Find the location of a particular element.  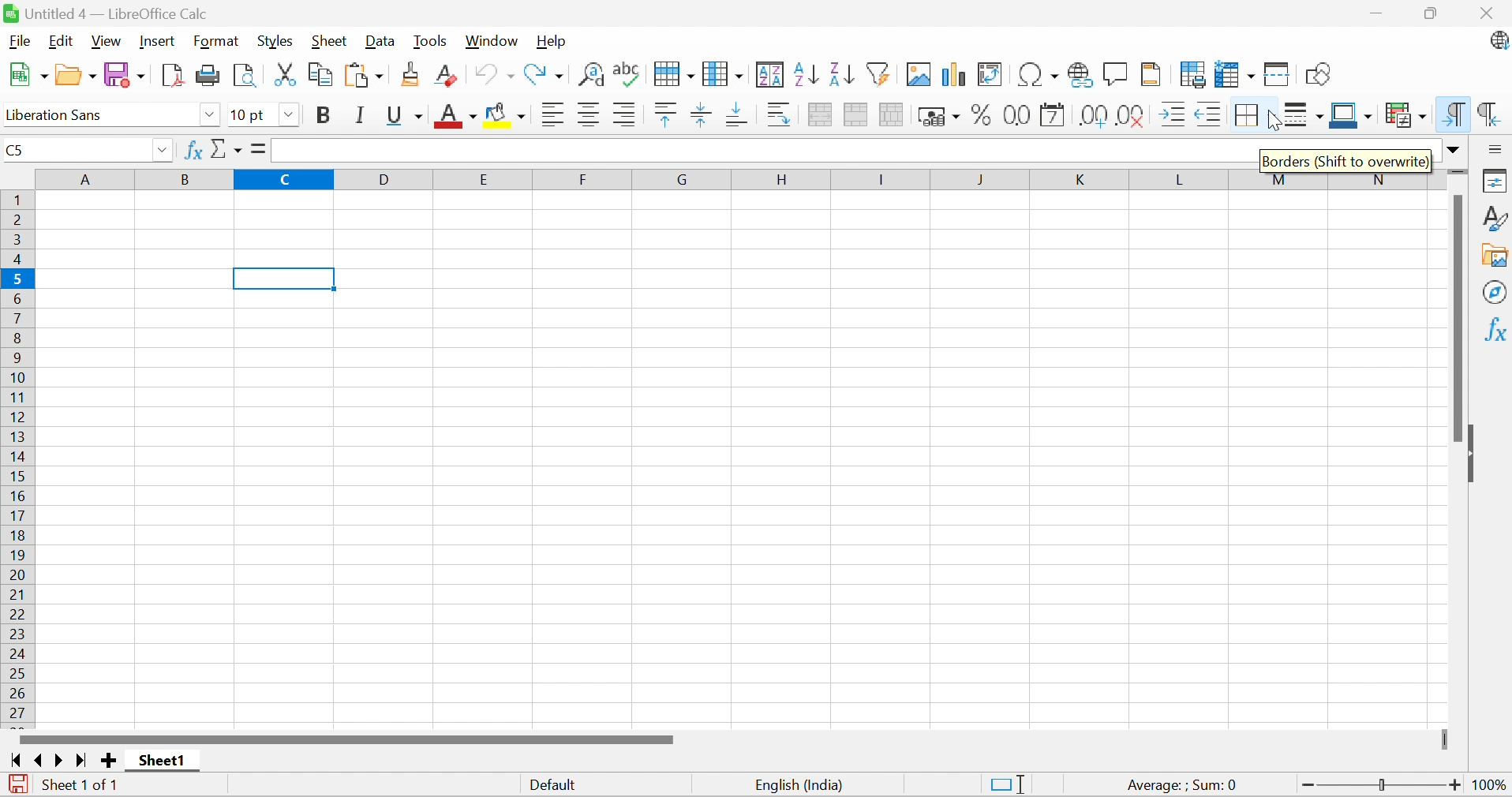

Close is located at coordinates (1487, 13).